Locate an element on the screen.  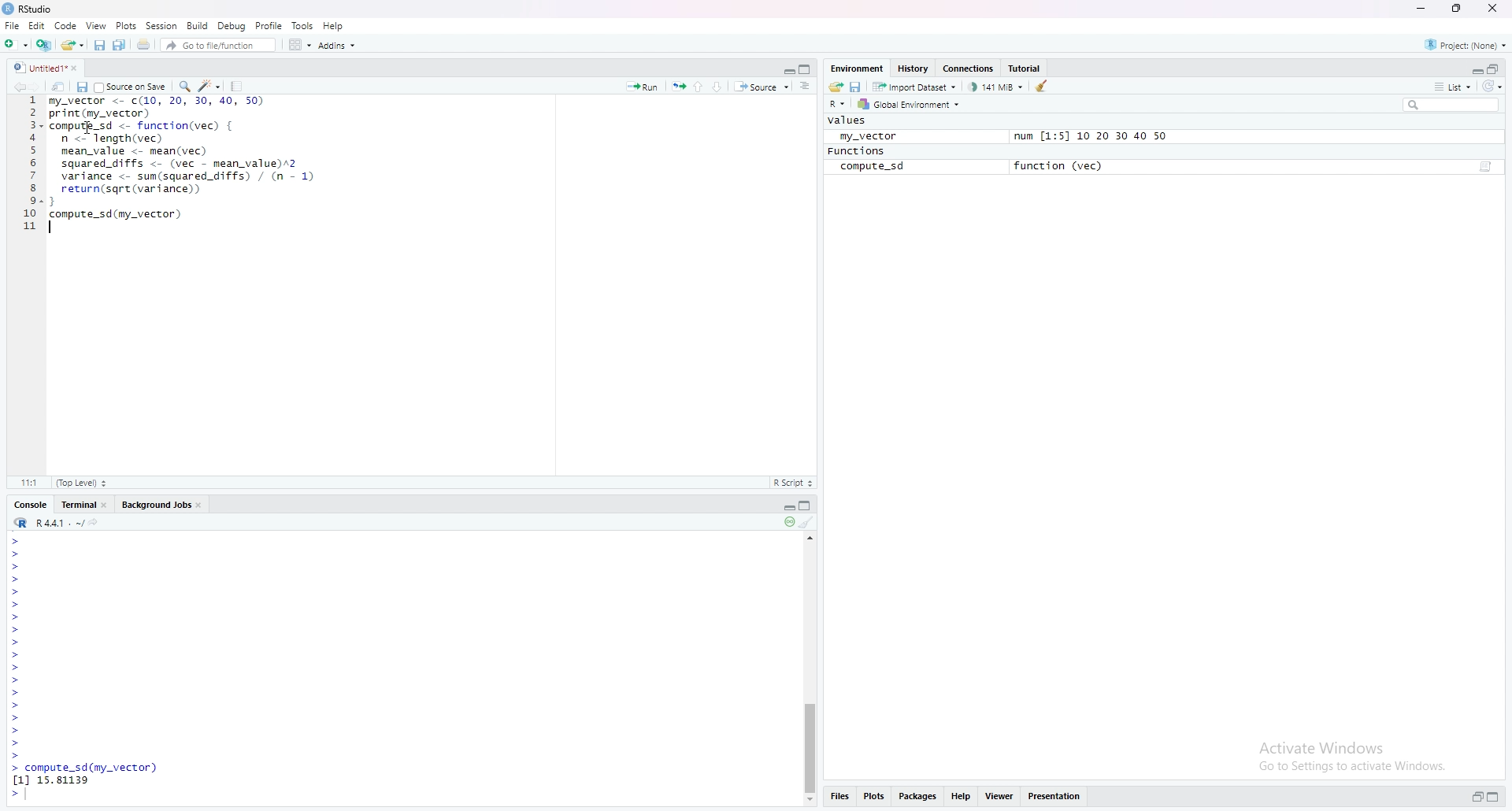
Debug is located at coordinates (232, 25).